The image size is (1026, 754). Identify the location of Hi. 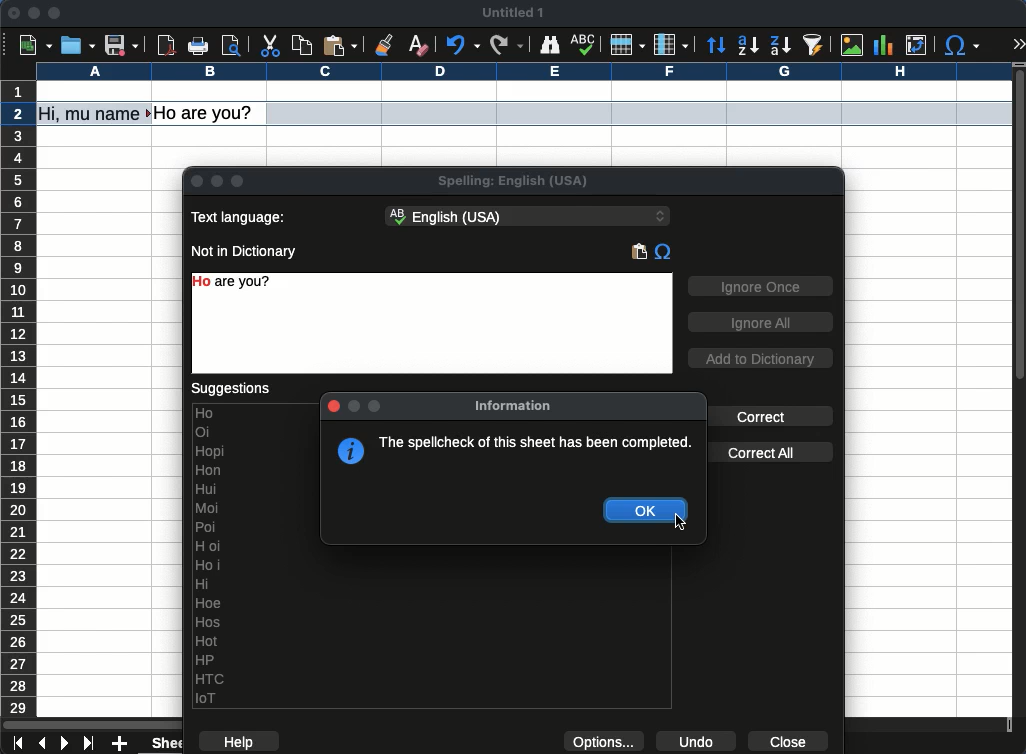
(204, 583).